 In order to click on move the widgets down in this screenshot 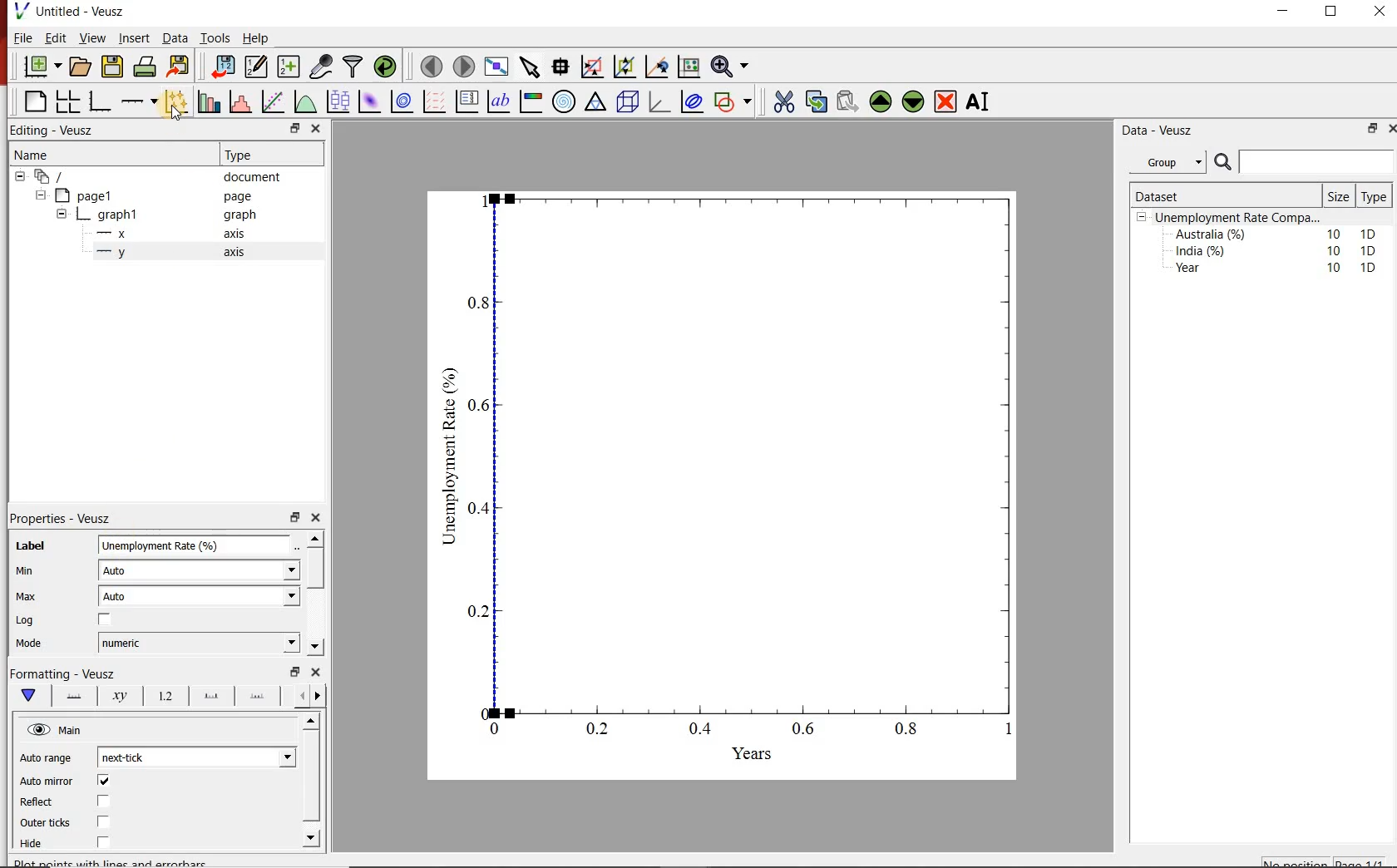, I will do `click(911, 101)`.